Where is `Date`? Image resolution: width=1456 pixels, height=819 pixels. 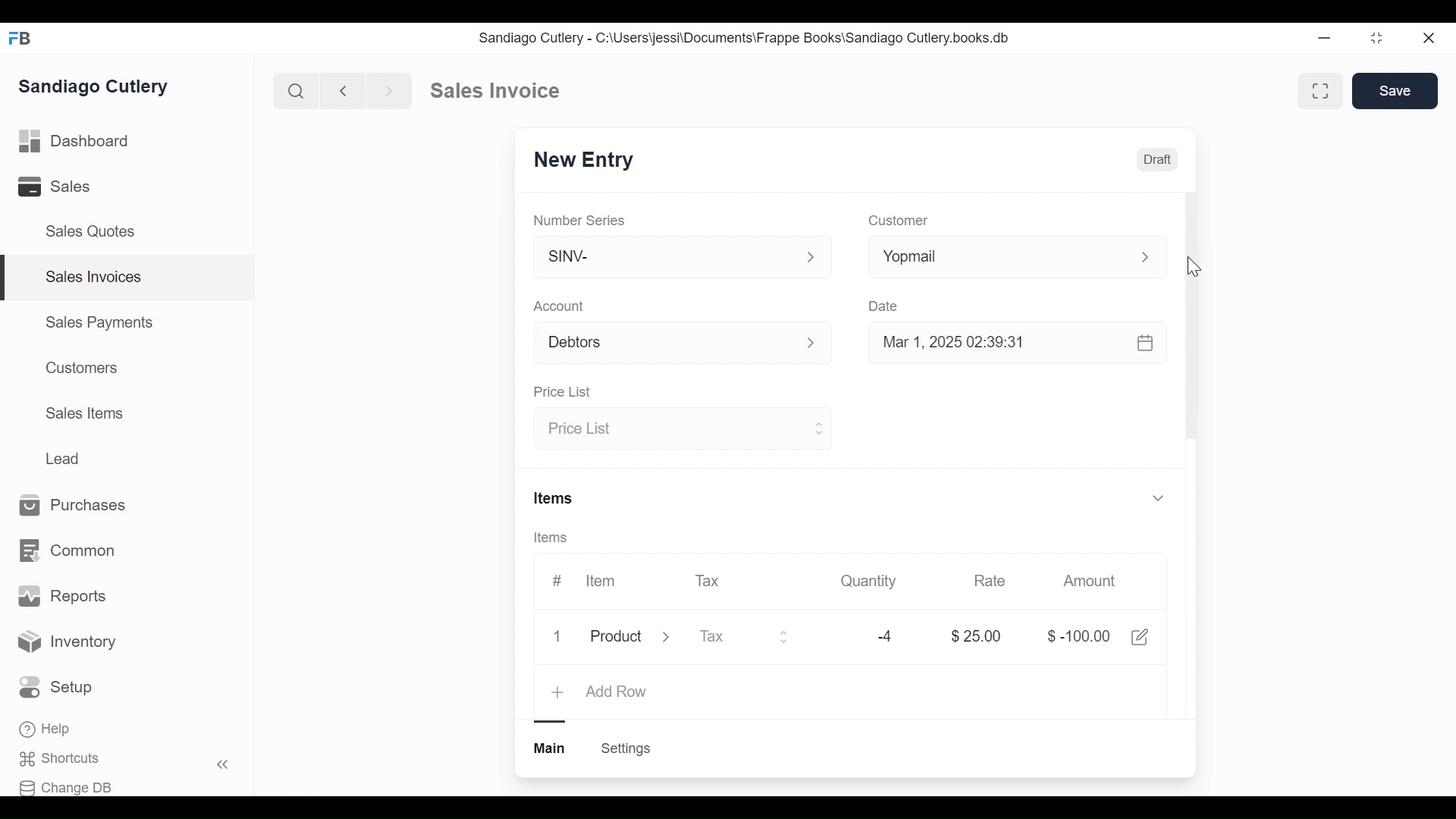 Date is located at coordinates (883, 306).